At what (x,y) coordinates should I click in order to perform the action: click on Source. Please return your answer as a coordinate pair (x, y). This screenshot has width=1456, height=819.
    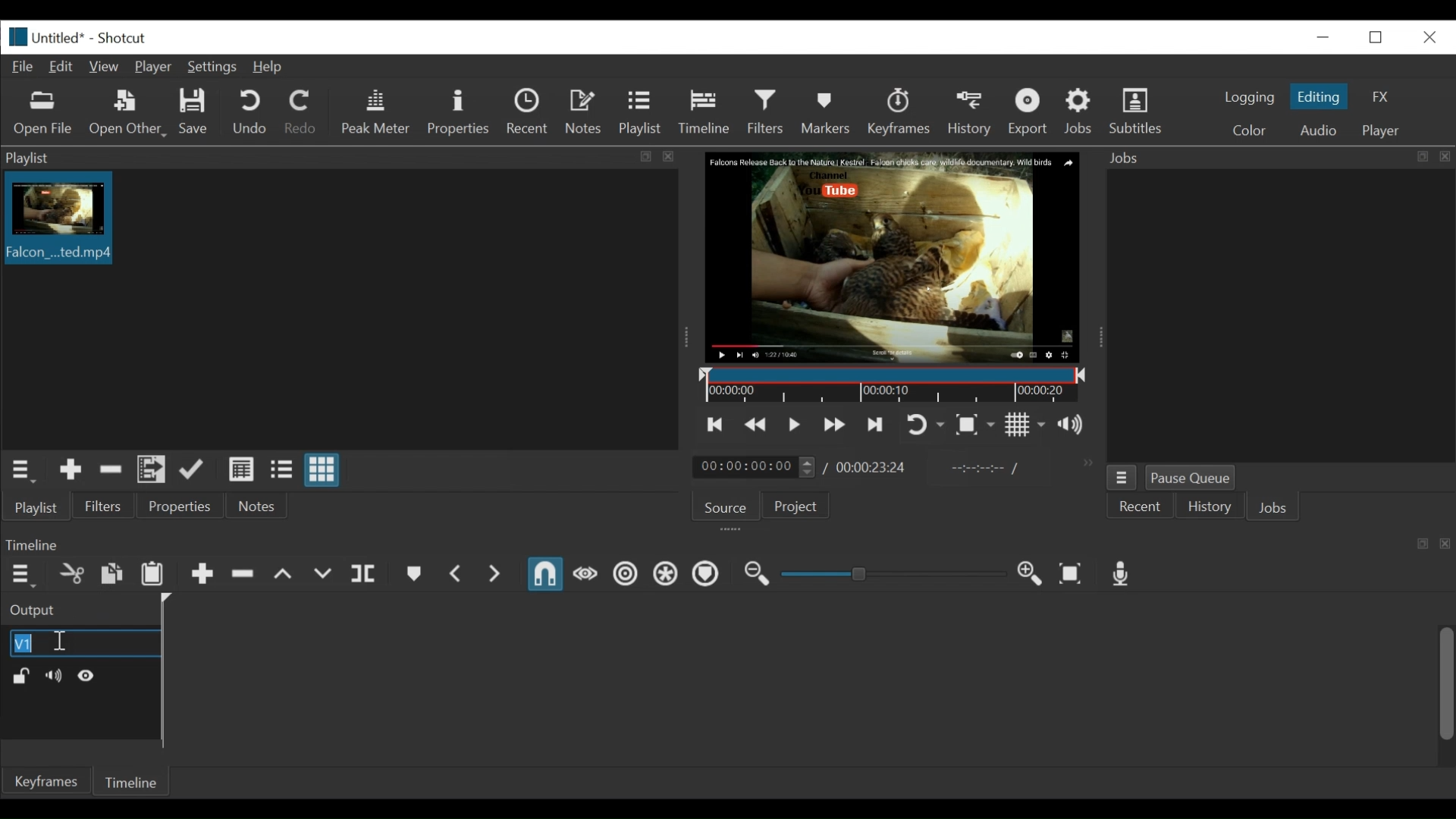
    Looking at the image, I should click on (722, 506).